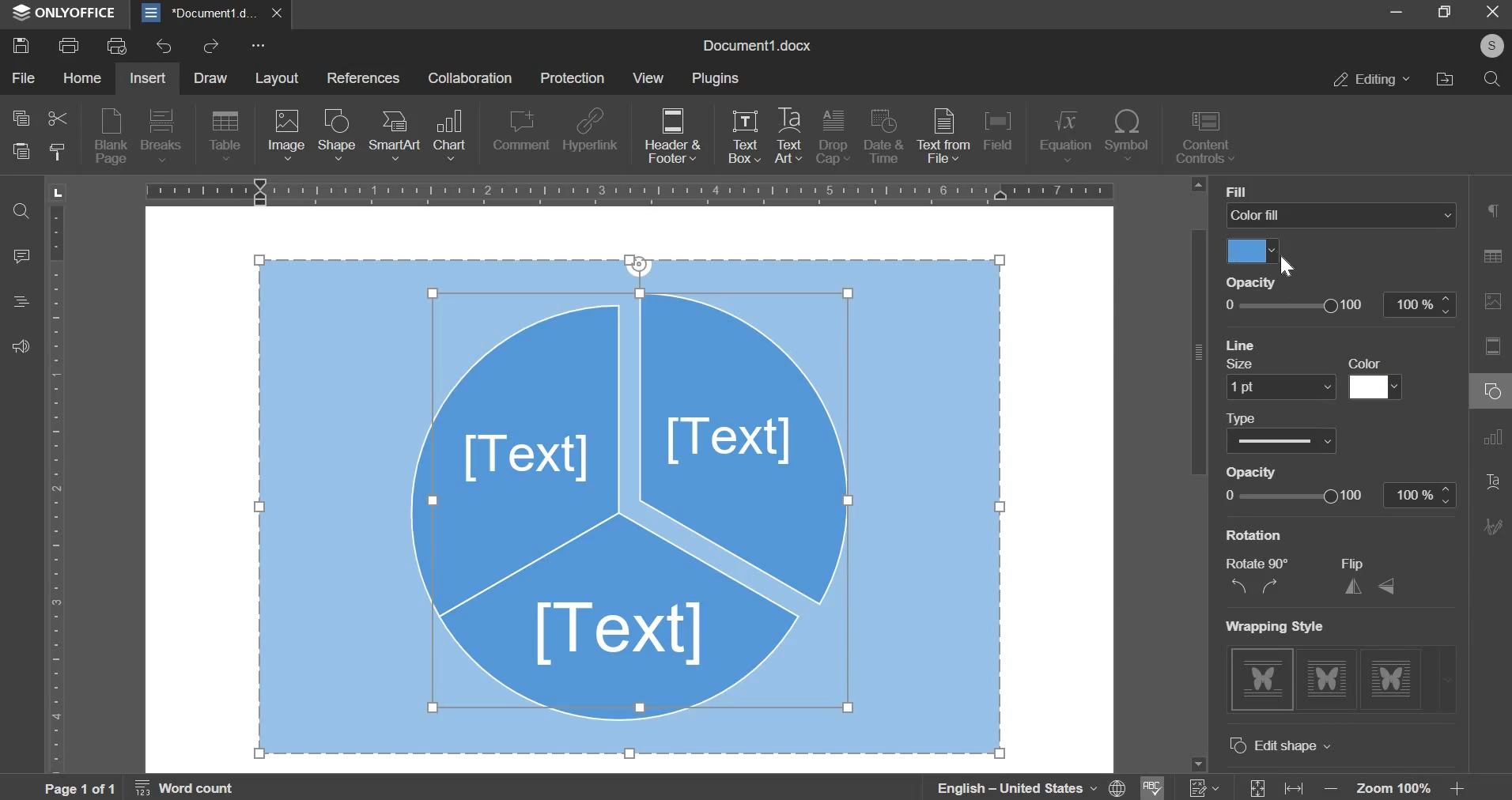 Image resolution: width=1512 pixels, height=800 pixels. I want to click on home, so click(81, 80).